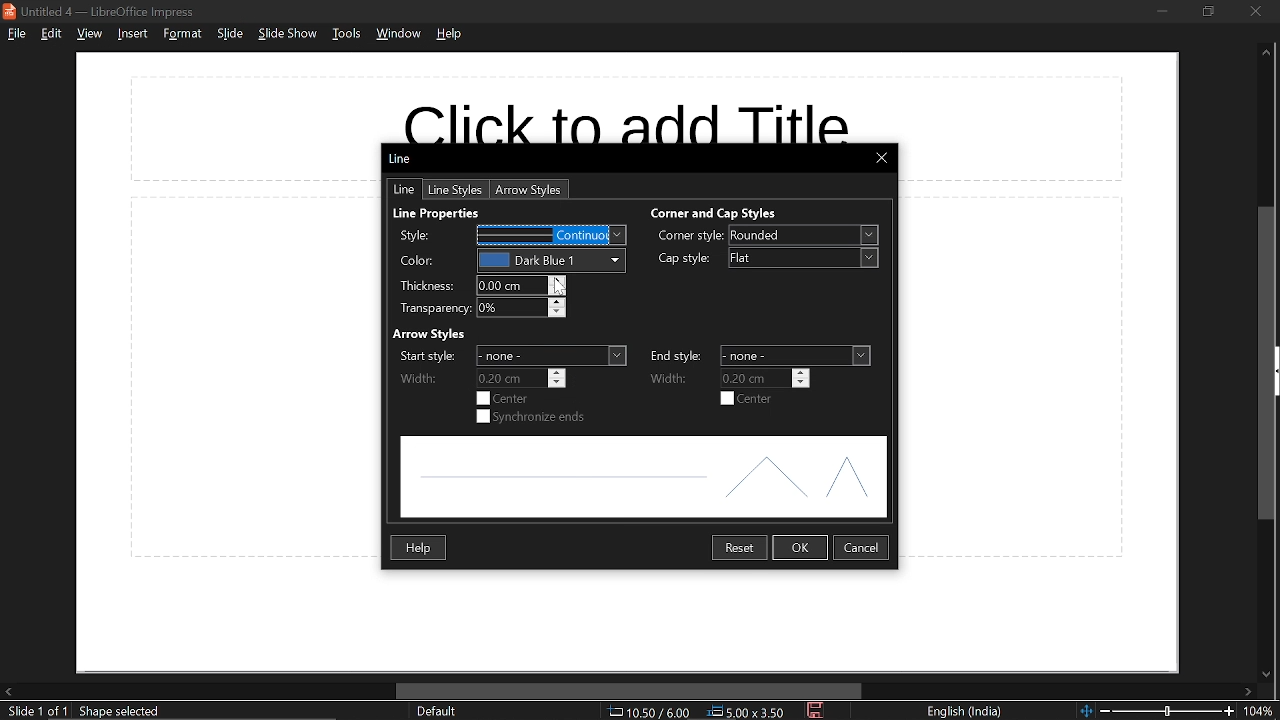 The height and width of the screenshot is (720, 1280). What do you see at coordinates (883, 159) in the screenshot?
I see `close` at bounding box center [883, 159].